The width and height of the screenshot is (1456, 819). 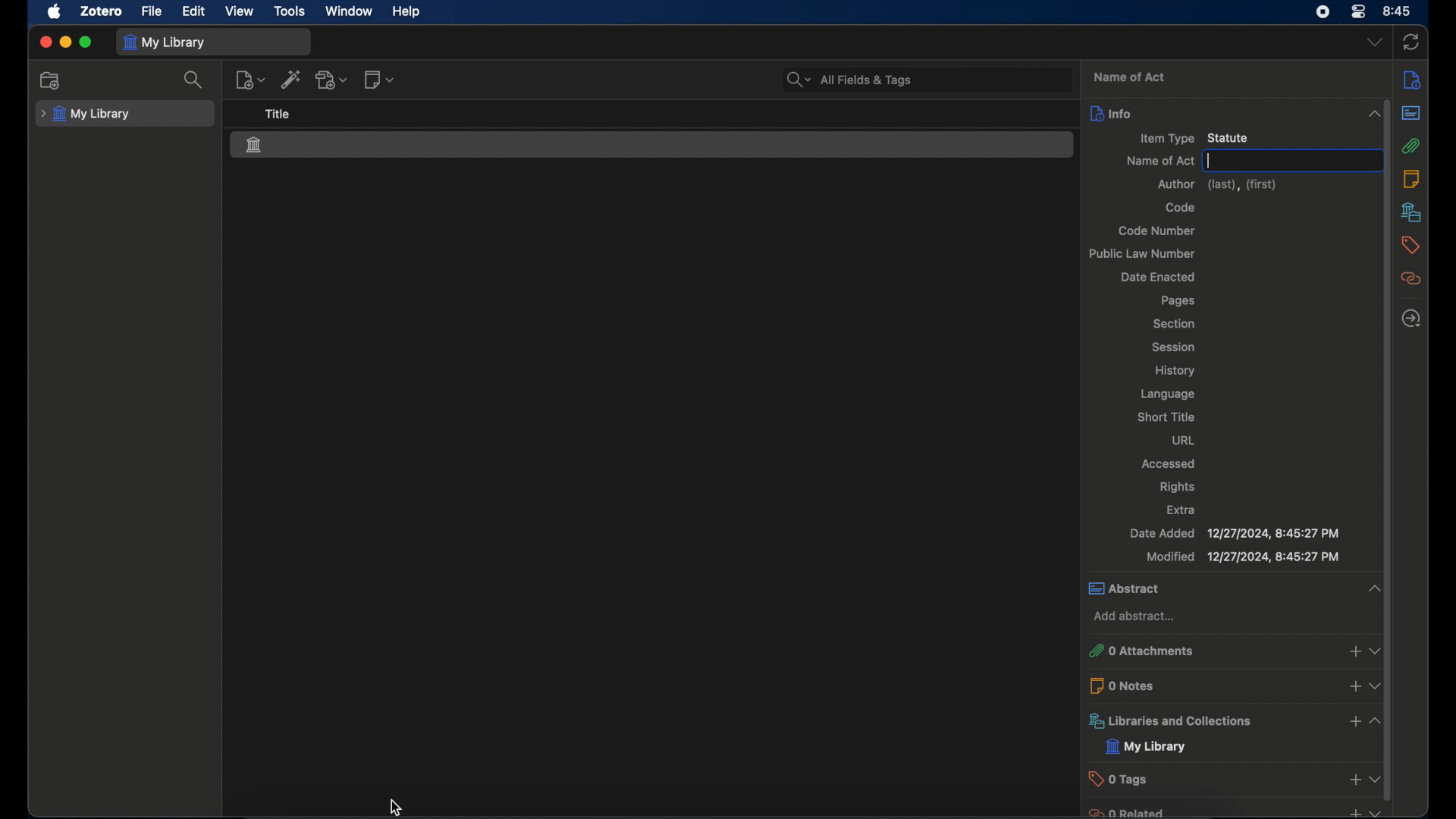 I want to click on view, so click(x=240, y=11).